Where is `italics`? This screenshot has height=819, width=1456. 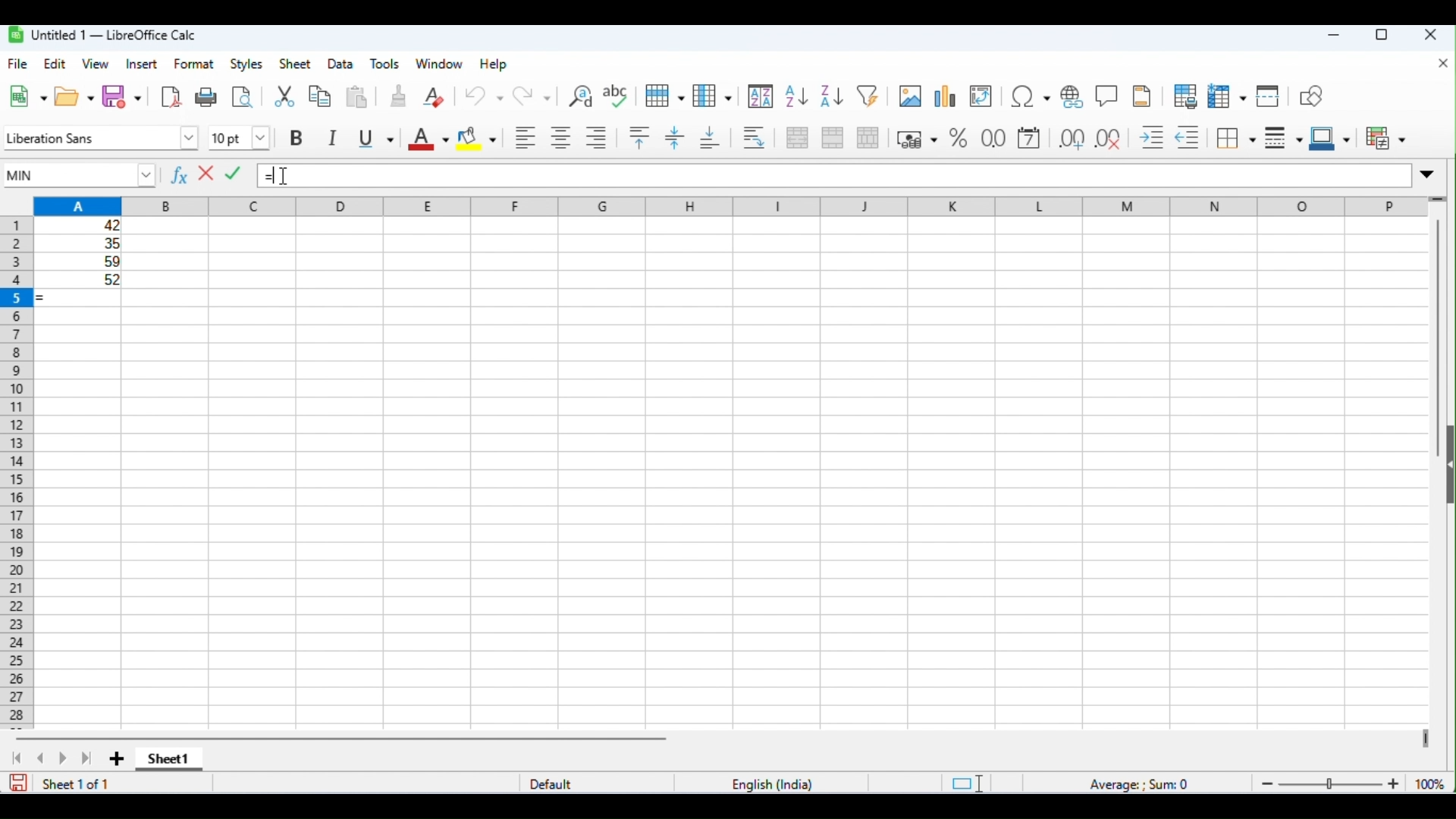 italics is located at coordinates (334, 138).